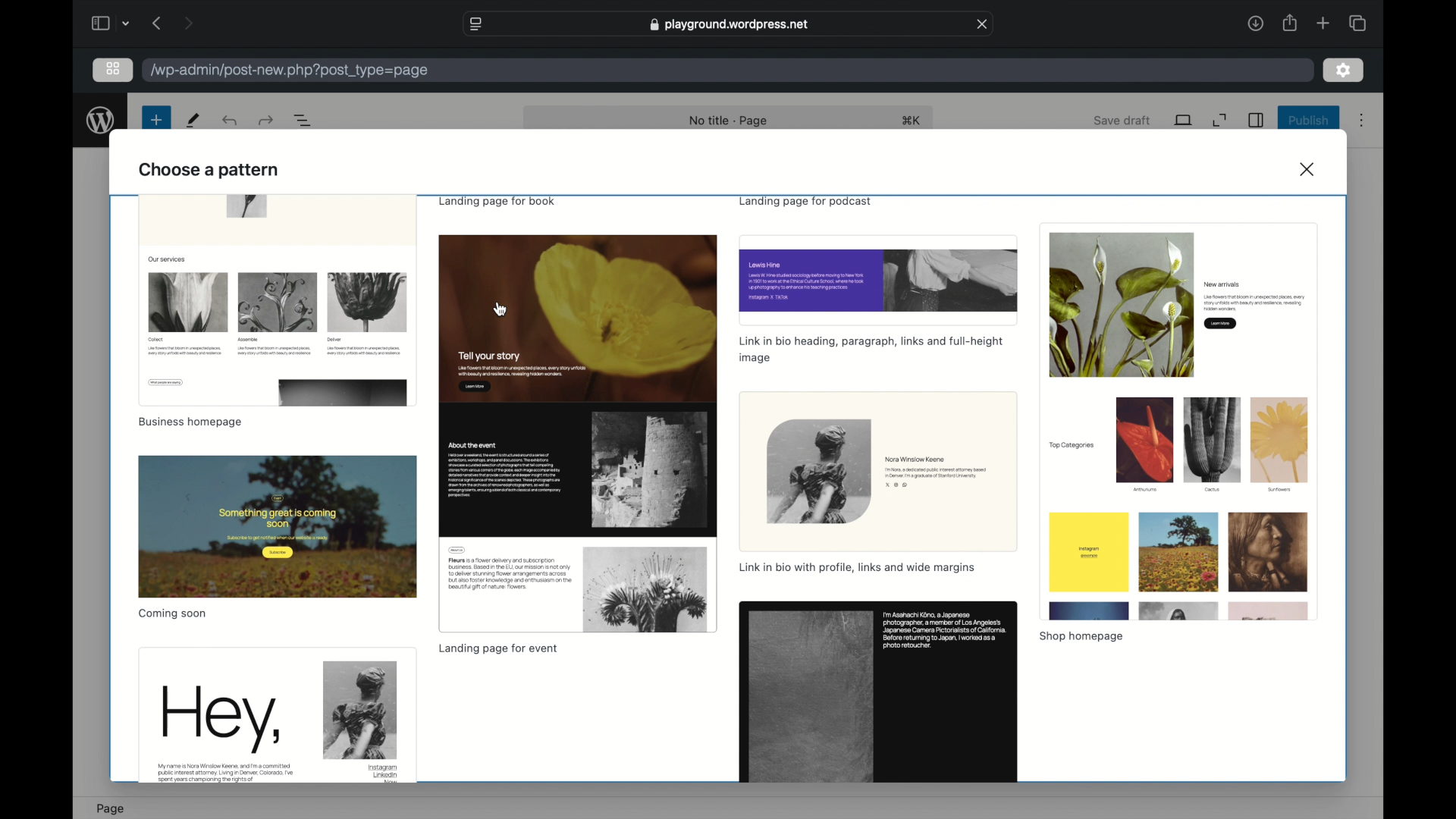 This screenshot has width=1456, height=819. I want to click on sidebar, so click(1255, 120).